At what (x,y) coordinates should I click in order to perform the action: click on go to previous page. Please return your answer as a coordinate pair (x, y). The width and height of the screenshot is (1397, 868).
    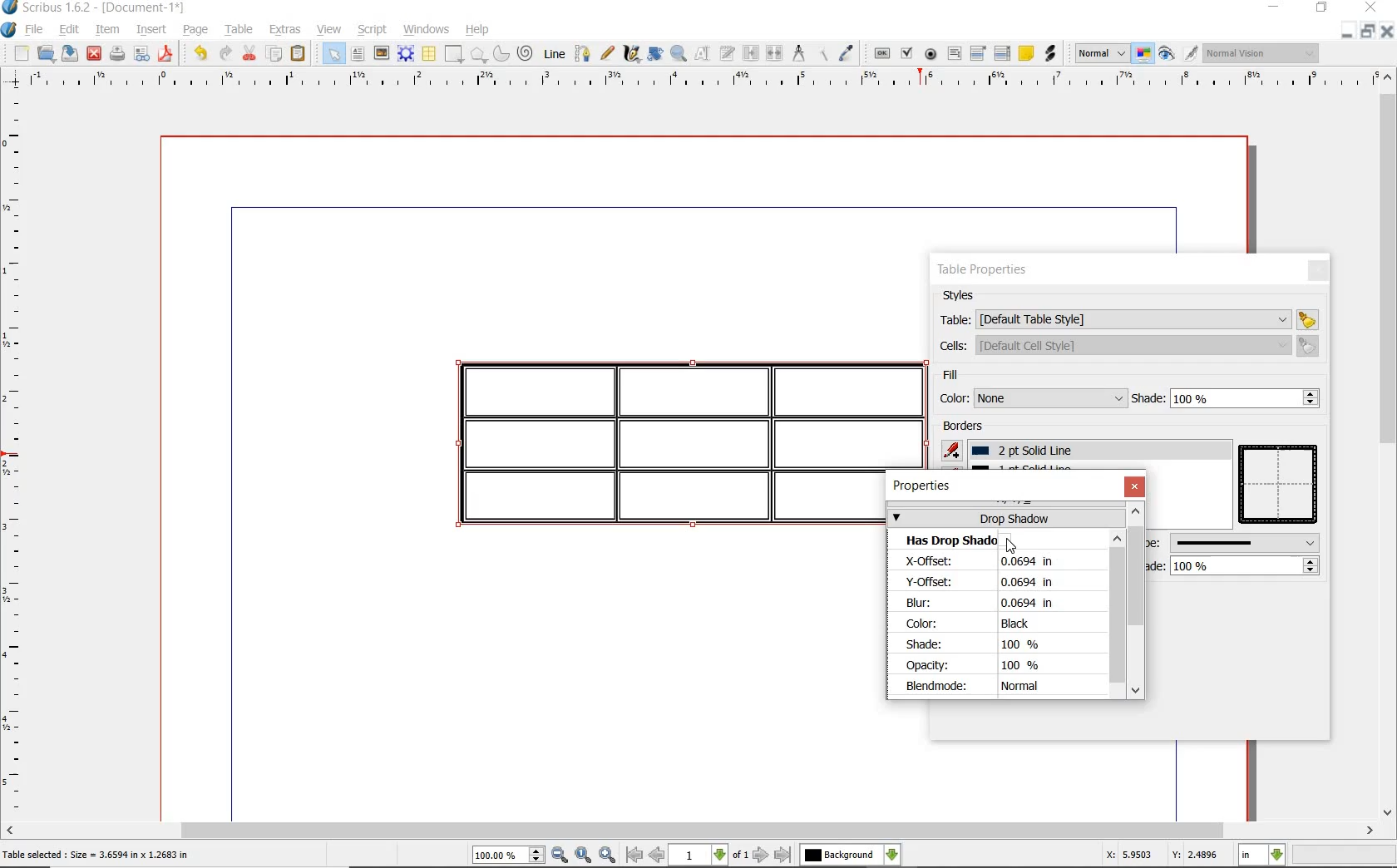
    Looking at the image, I should click on (657, 856).